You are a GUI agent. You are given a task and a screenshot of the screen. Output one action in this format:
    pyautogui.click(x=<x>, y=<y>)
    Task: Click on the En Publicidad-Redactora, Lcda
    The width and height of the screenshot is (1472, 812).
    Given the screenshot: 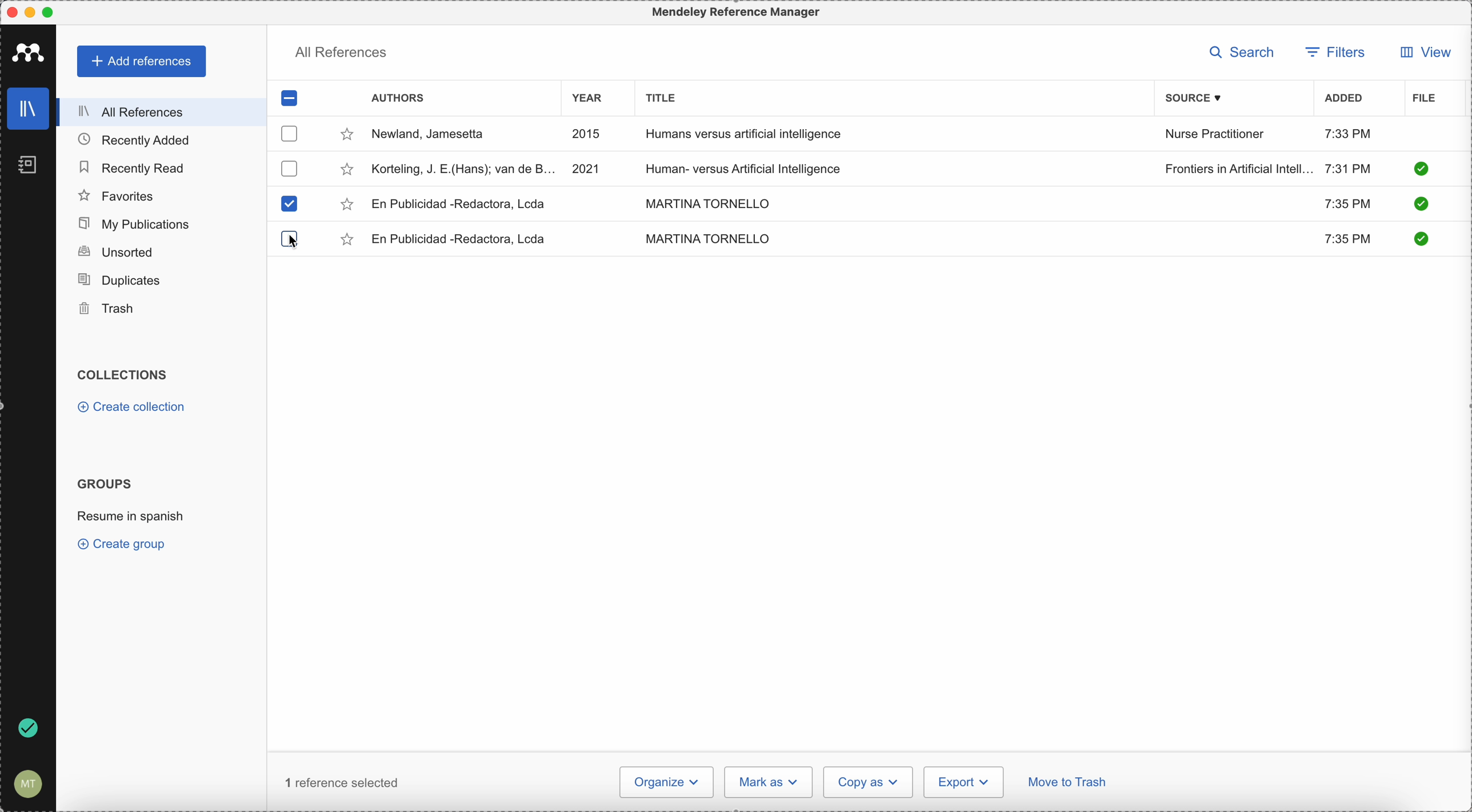 What is the action you would take?
    pyautogui.click(x=463, y=239)
    